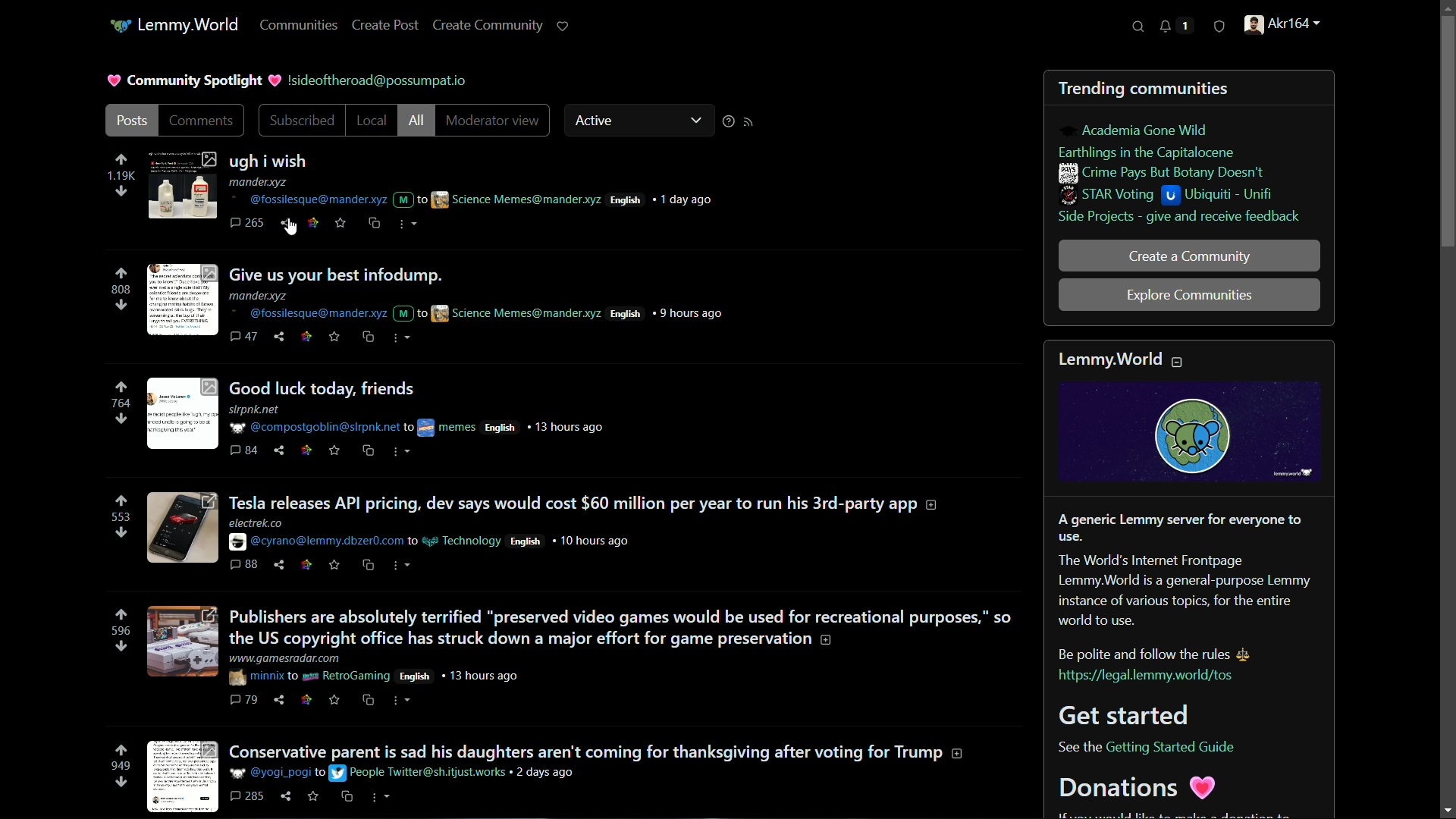  I want to click on ugh i wish, so click(281, 162).